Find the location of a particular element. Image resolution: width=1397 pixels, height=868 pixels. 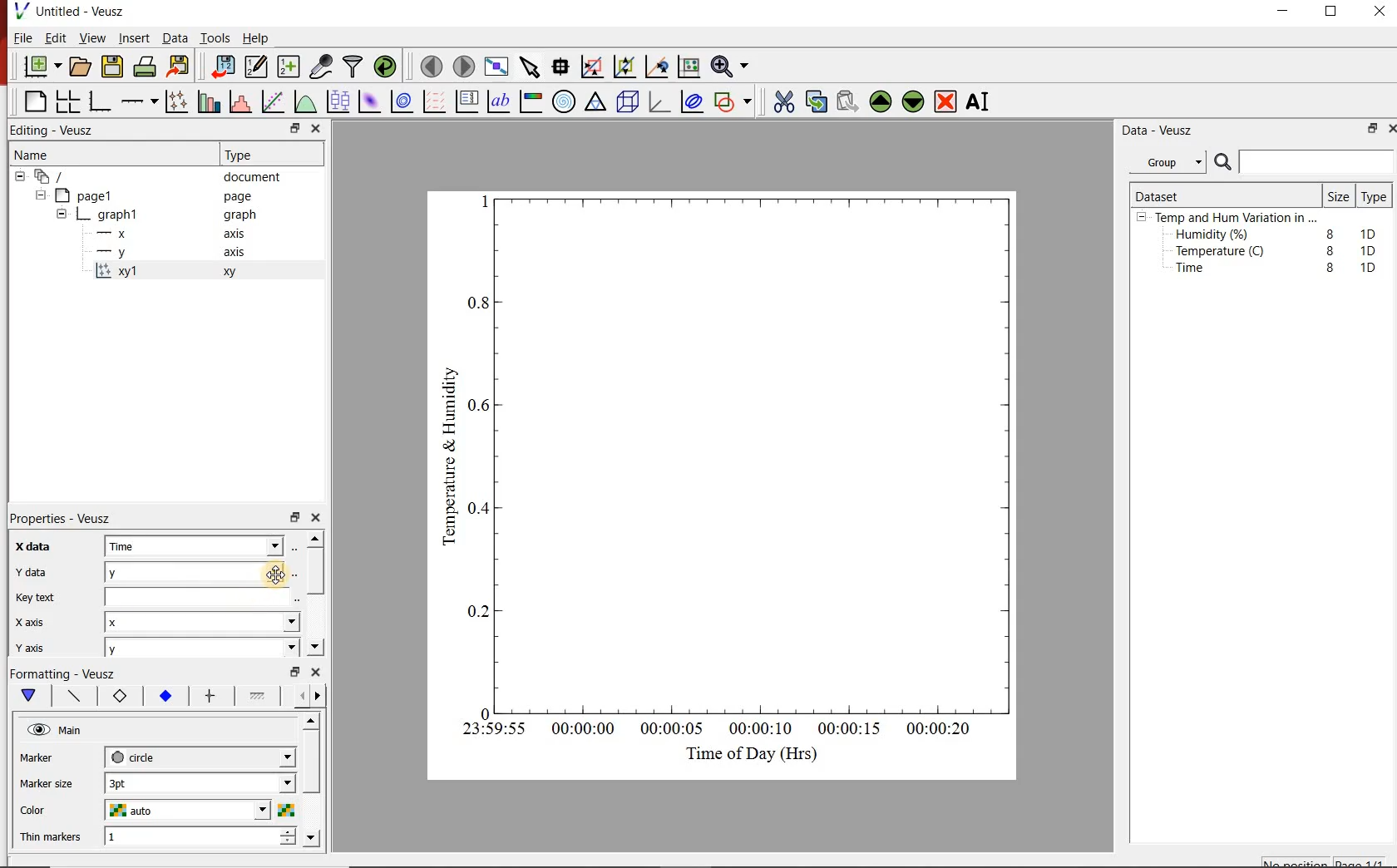

x axis is located at coordinates (40, 621).